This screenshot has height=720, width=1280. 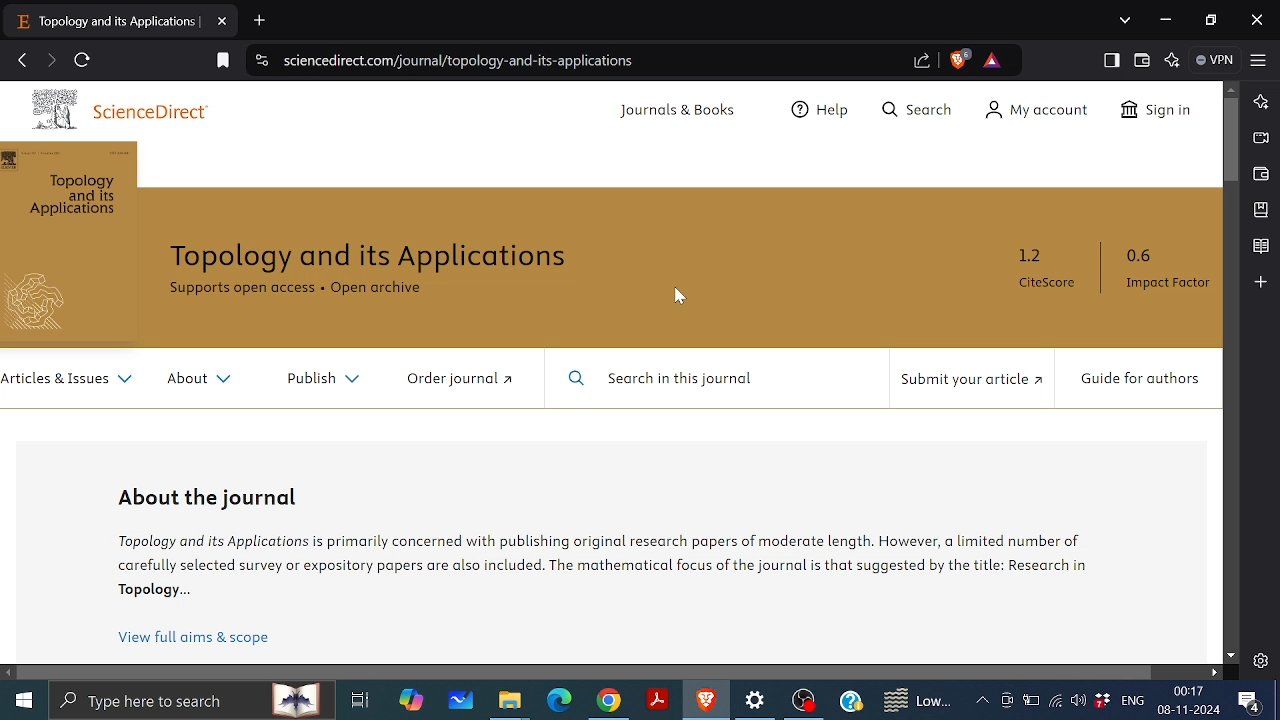 I want to click on Add to sidebar, so click(x=1262, y=283).